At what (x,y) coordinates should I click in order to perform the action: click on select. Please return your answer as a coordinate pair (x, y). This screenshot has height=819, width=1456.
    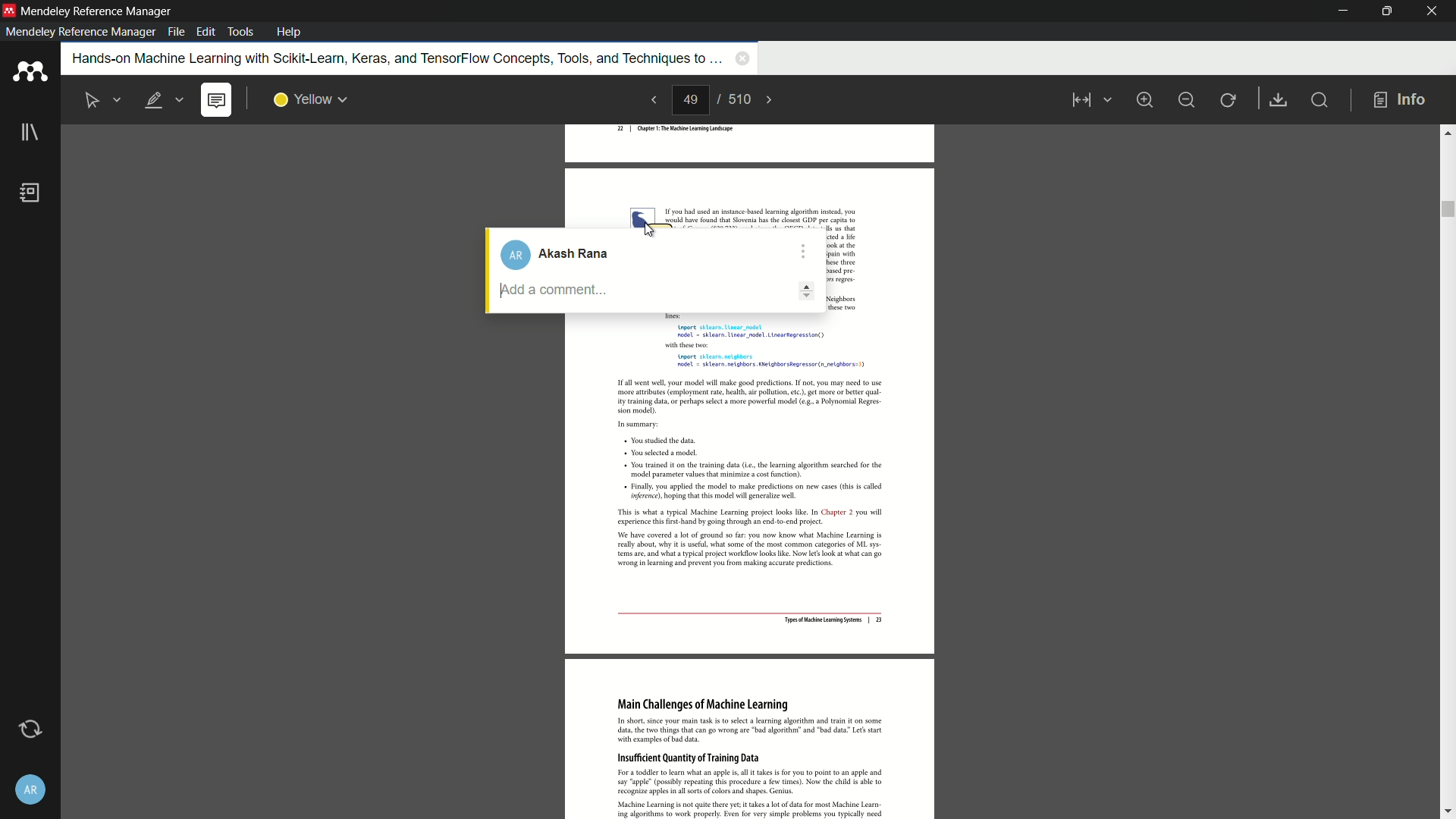
    Looking at the image, I should click on (103, 99).